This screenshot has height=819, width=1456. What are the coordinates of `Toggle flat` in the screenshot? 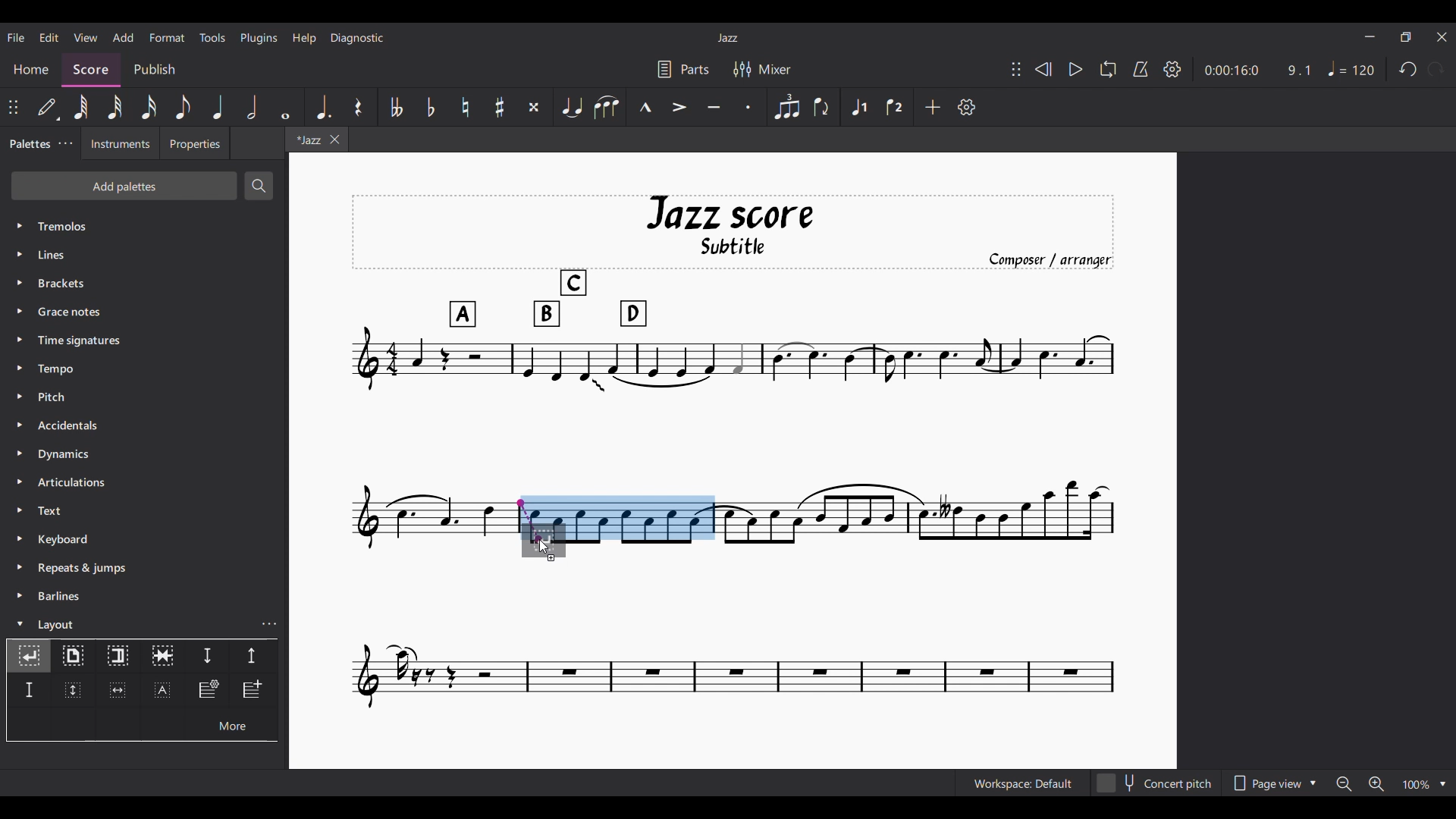 It's located at (431, 107).